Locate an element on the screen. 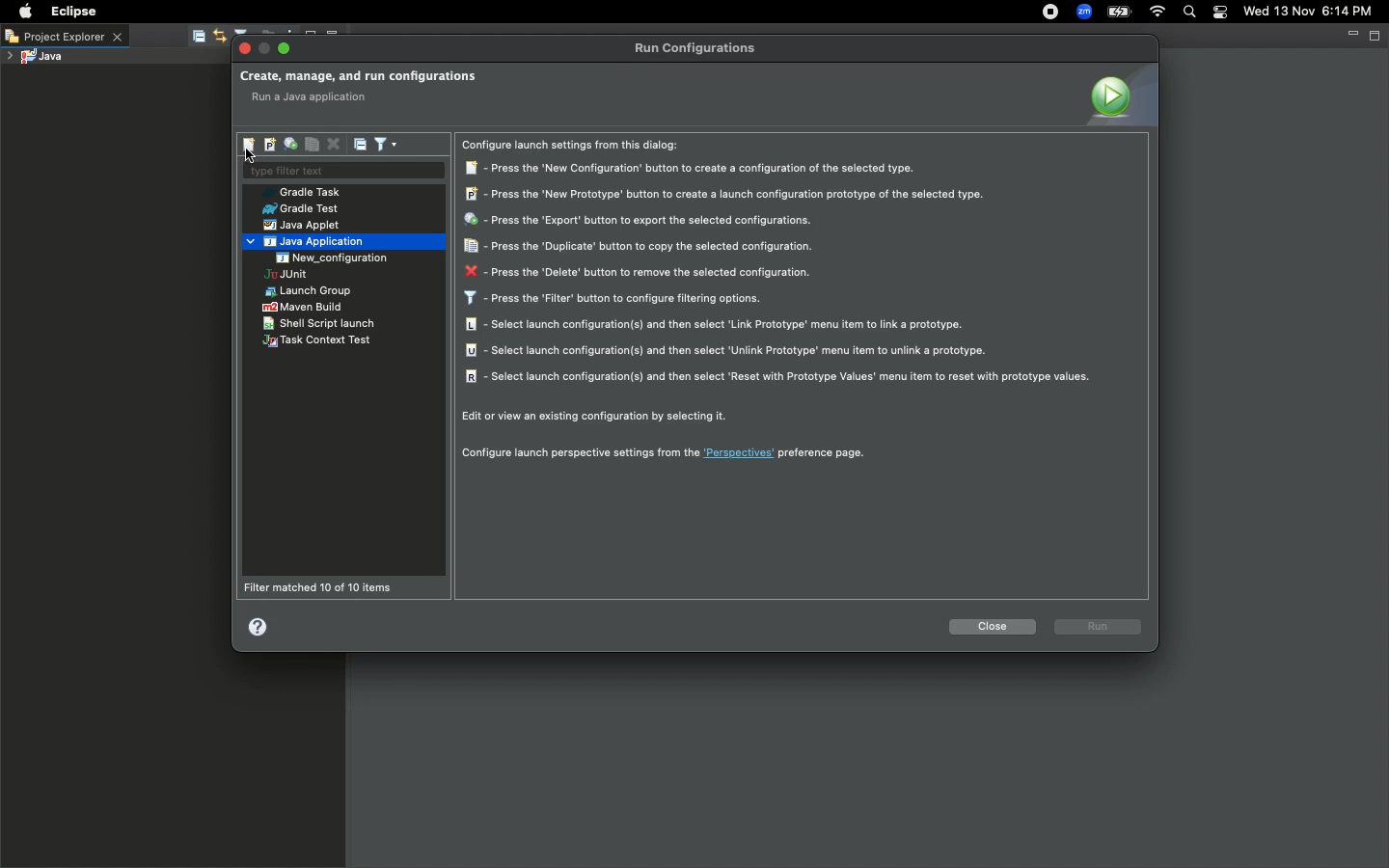  Press the 'Export' button to export the selected configurations. is located at coordinates (640, 221).